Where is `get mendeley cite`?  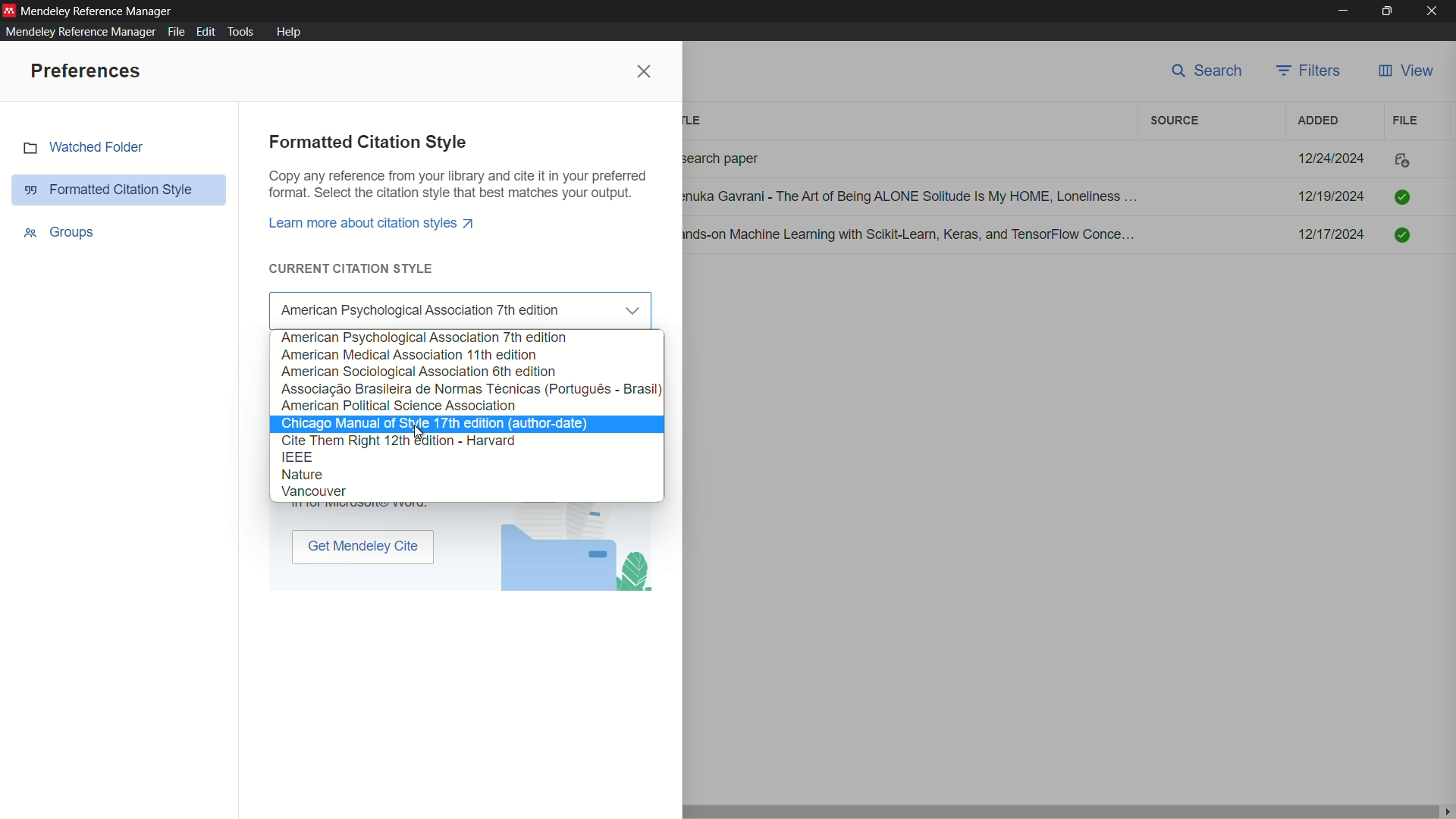 get mendeley cite is located at coordinates (365, 547).